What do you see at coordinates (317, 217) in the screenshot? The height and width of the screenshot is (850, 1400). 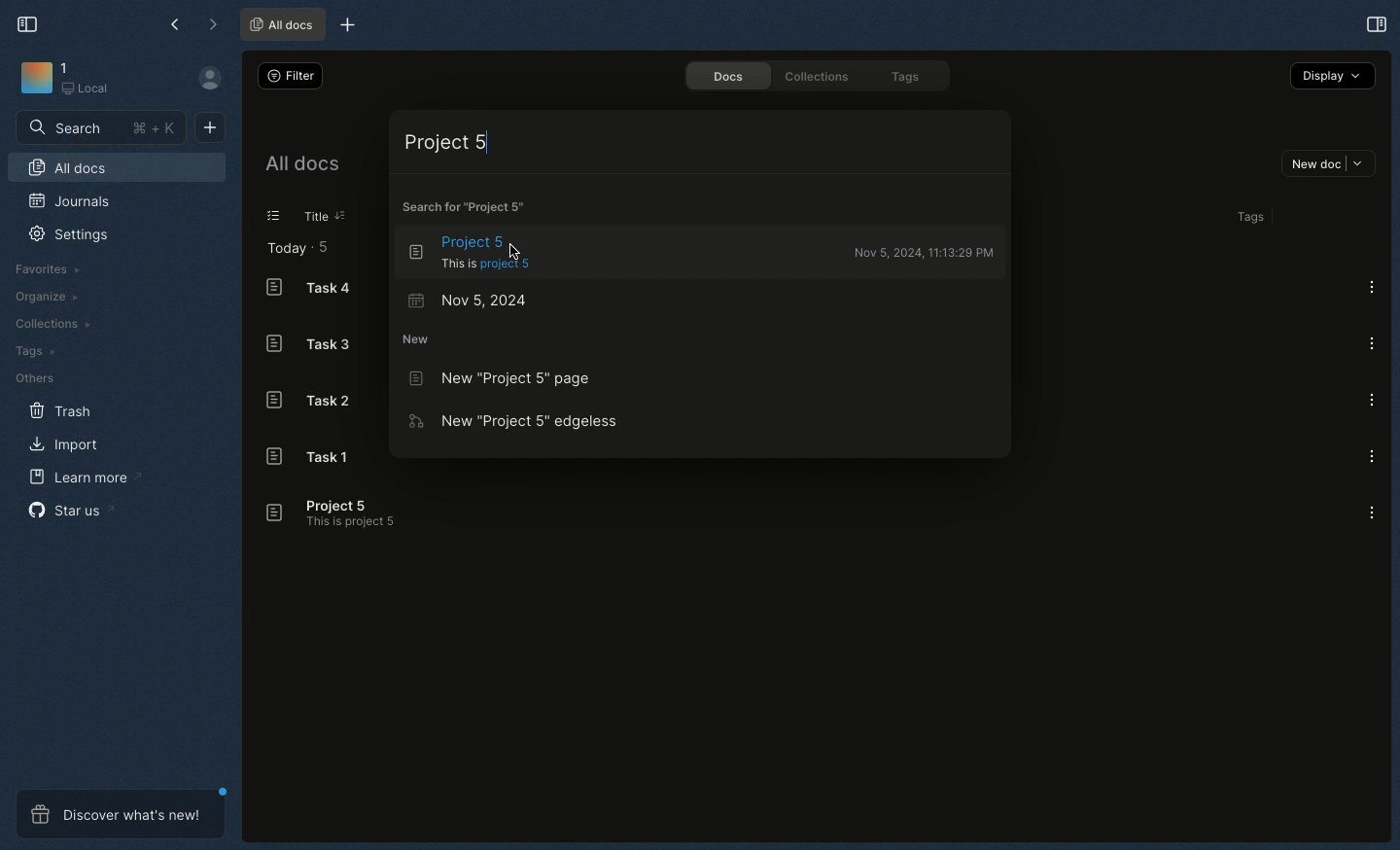 I see `Title` at bounding box center [317, 217].